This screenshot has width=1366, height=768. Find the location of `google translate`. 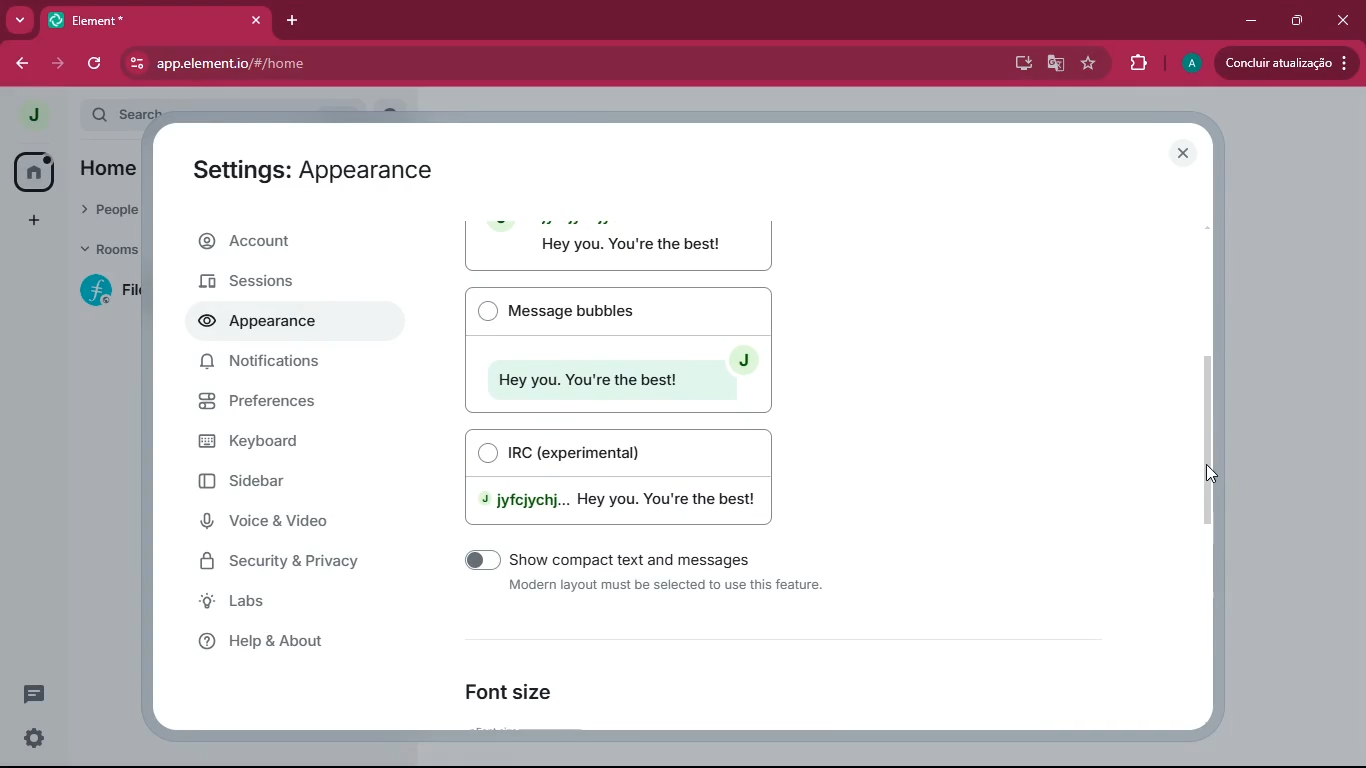

google translate is located at coordinates (1057, 65).